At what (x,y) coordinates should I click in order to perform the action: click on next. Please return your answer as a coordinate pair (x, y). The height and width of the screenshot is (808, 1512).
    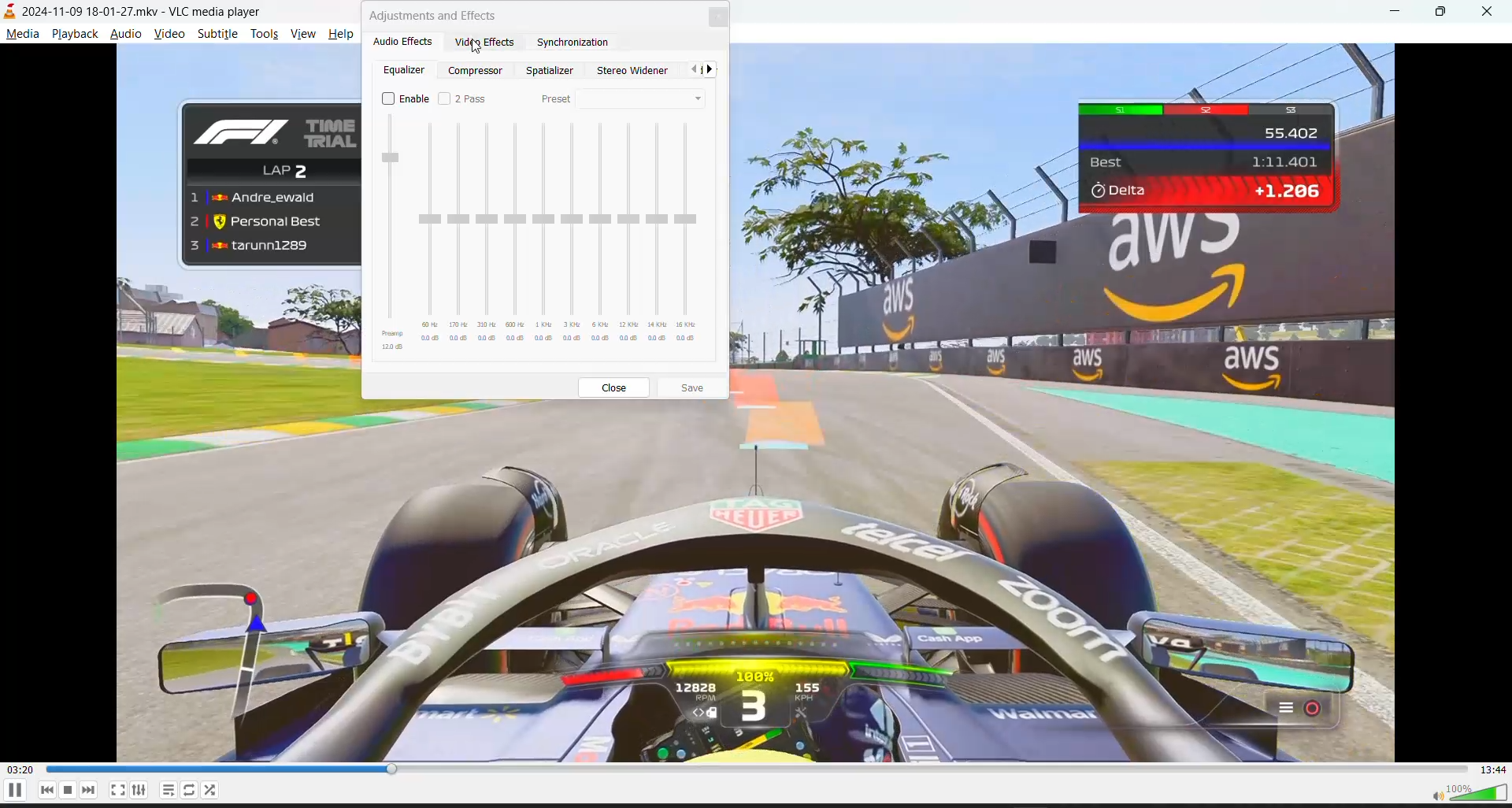
    Looking at the image, I should click on (90, 790).